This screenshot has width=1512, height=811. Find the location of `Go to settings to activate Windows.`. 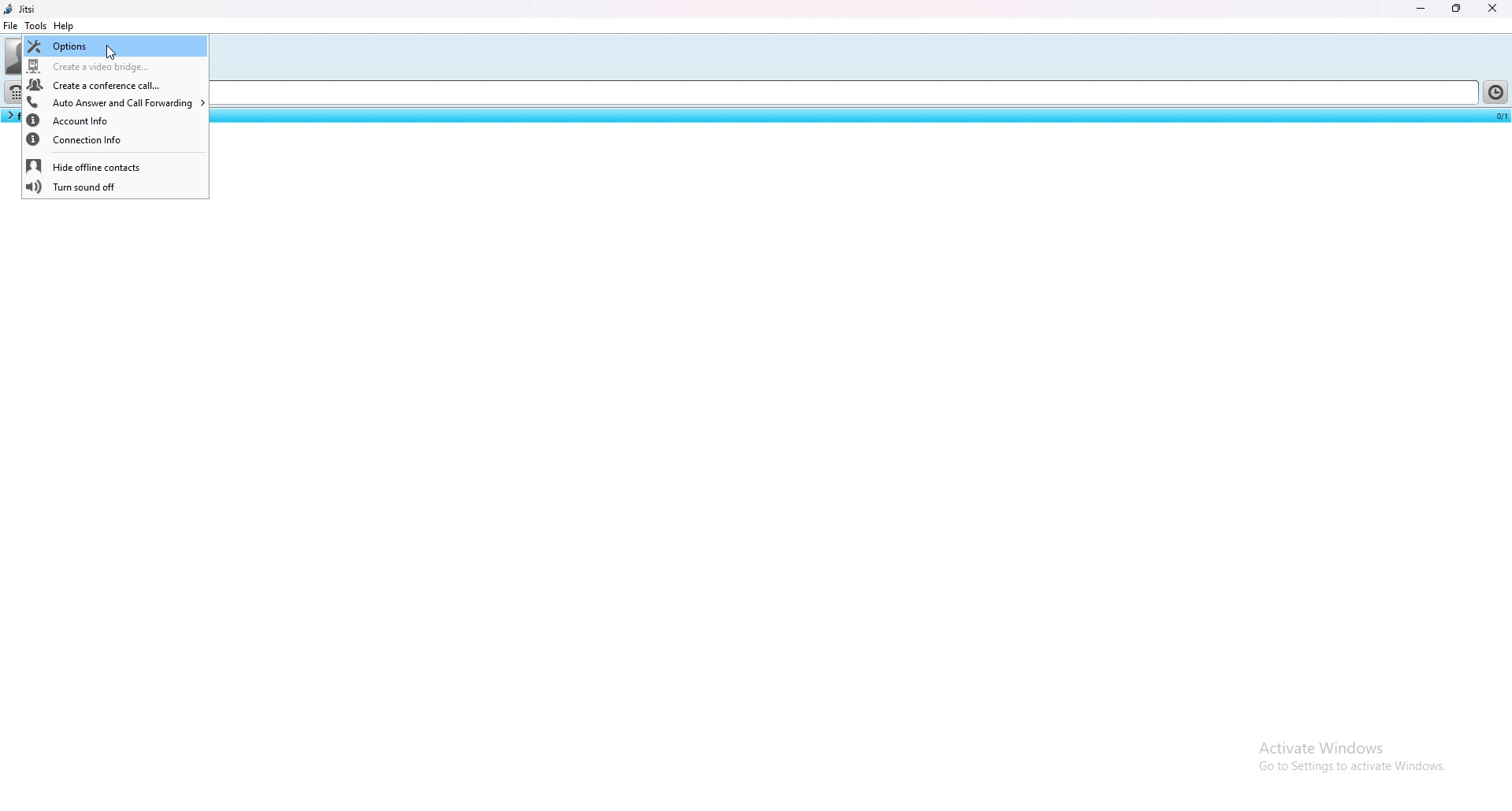

Go to settings to activate Windows. is located at coordinates (1350, 770).